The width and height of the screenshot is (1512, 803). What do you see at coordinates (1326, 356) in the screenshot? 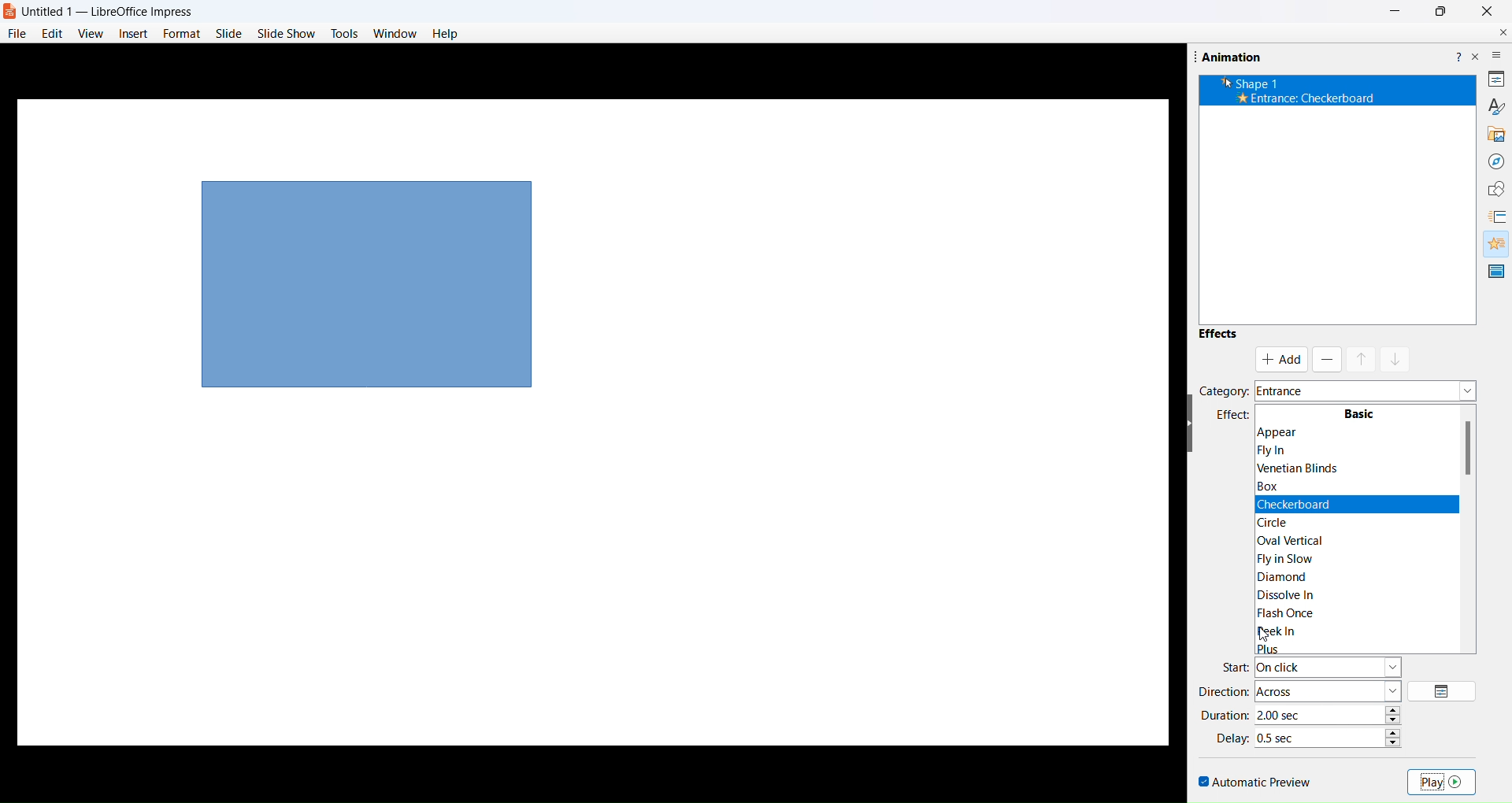
I see `remove` at bounding box center [1326, 356].